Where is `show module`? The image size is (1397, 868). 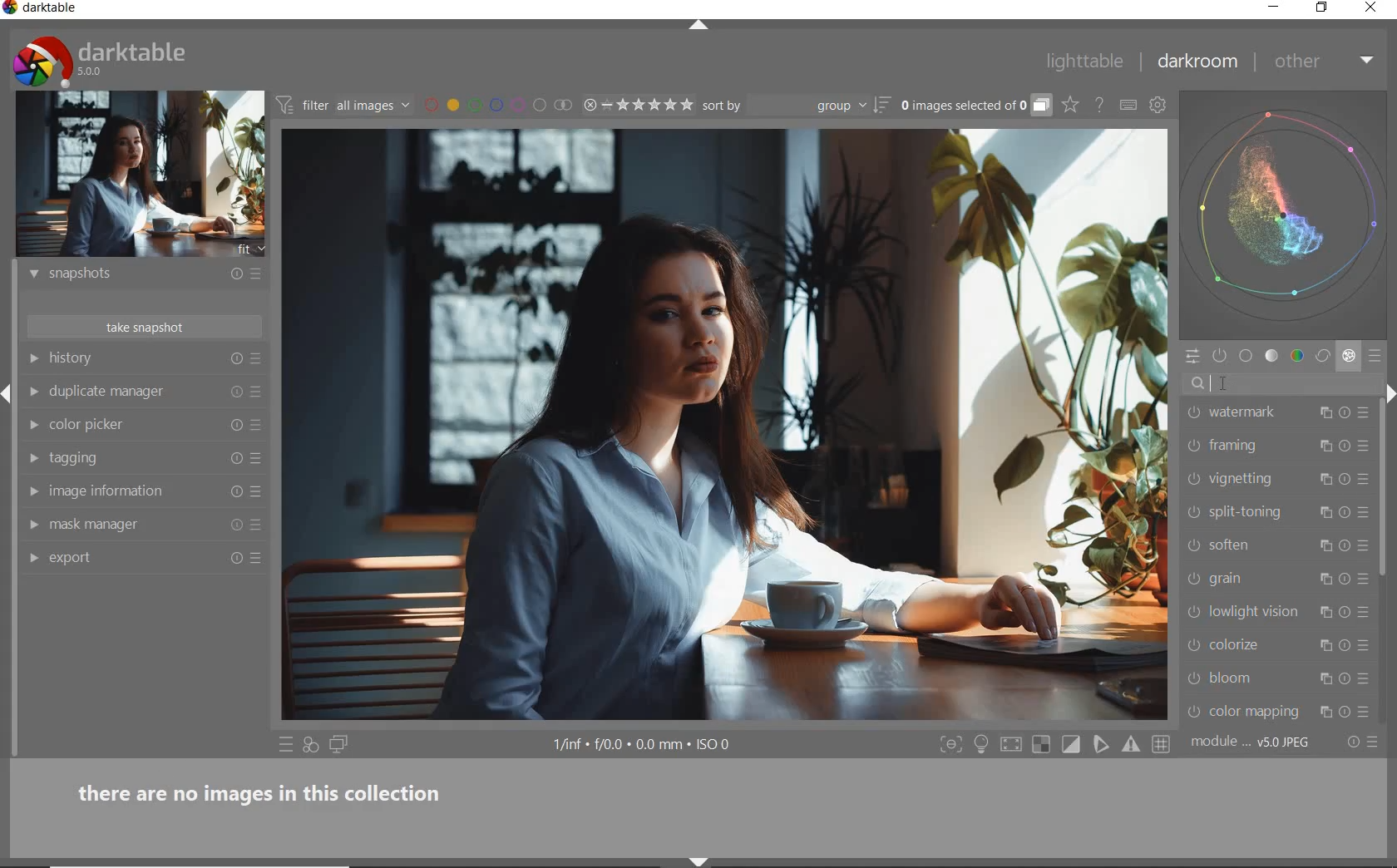 show module is located at coordinates (31, 459).